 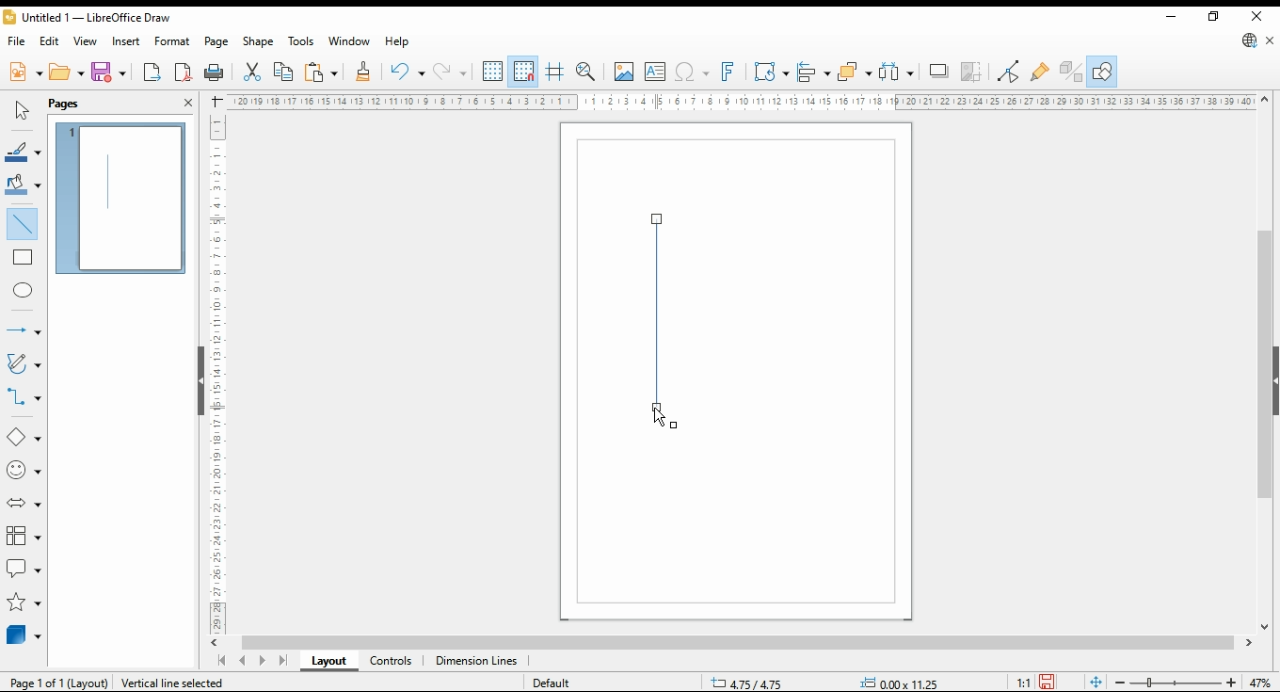 I want to click on decrease zoom, so click(x=1118, y=681).